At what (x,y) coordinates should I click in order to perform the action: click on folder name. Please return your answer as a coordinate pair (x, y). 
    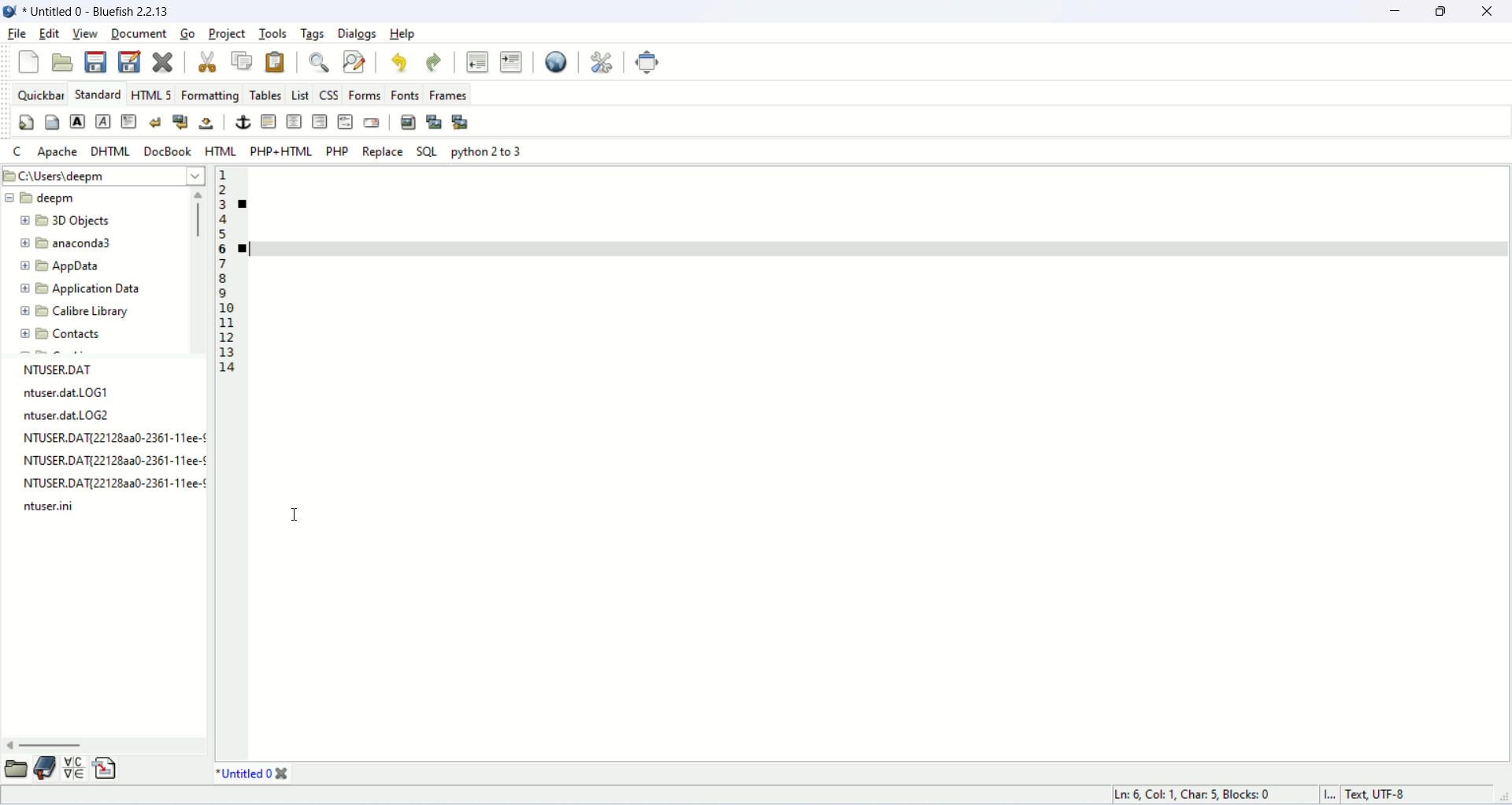
    Looking at the image, I should click on (89, 263).